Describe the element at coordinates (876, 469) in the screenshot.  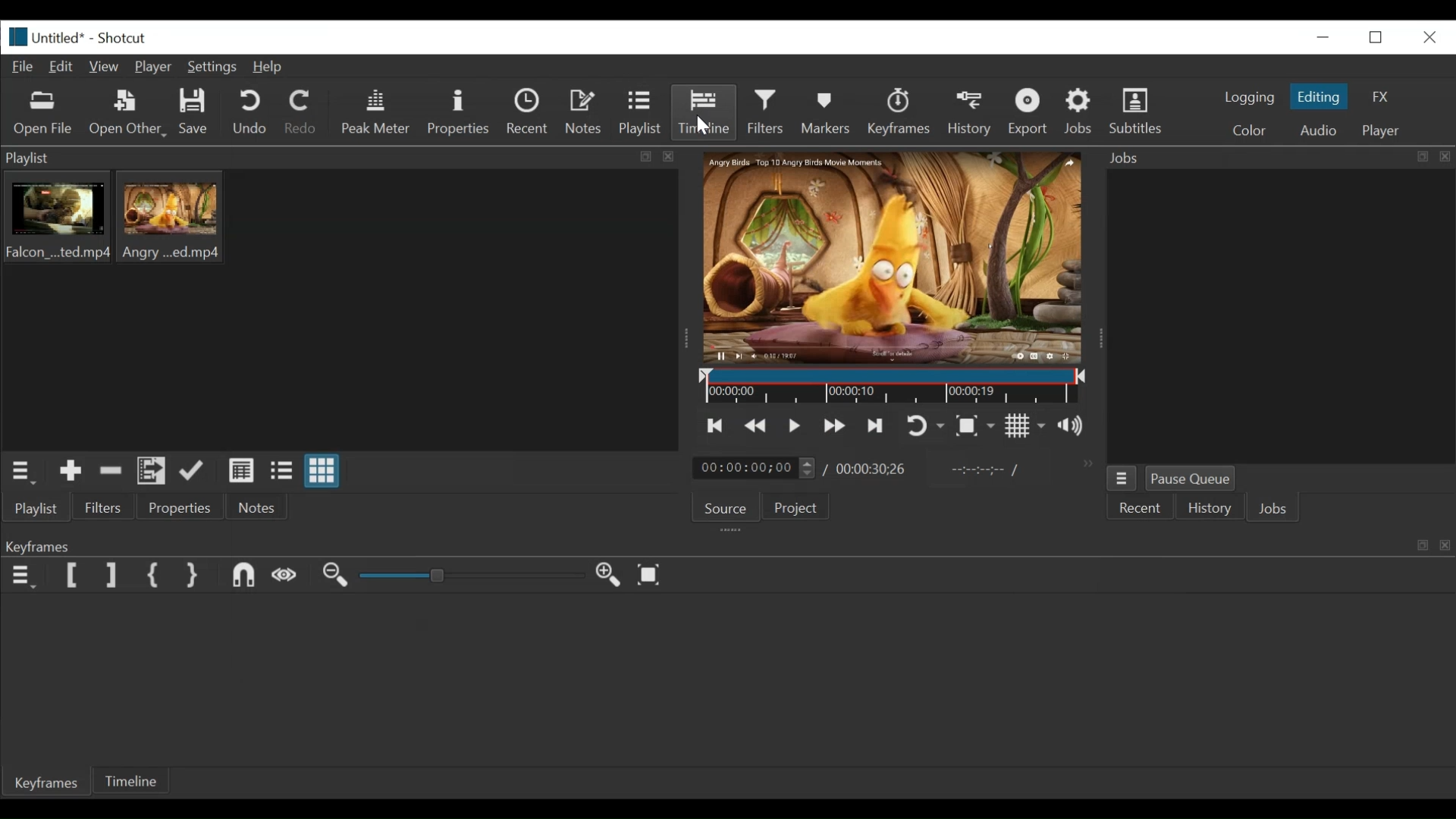
I see `Total duration` at that location.